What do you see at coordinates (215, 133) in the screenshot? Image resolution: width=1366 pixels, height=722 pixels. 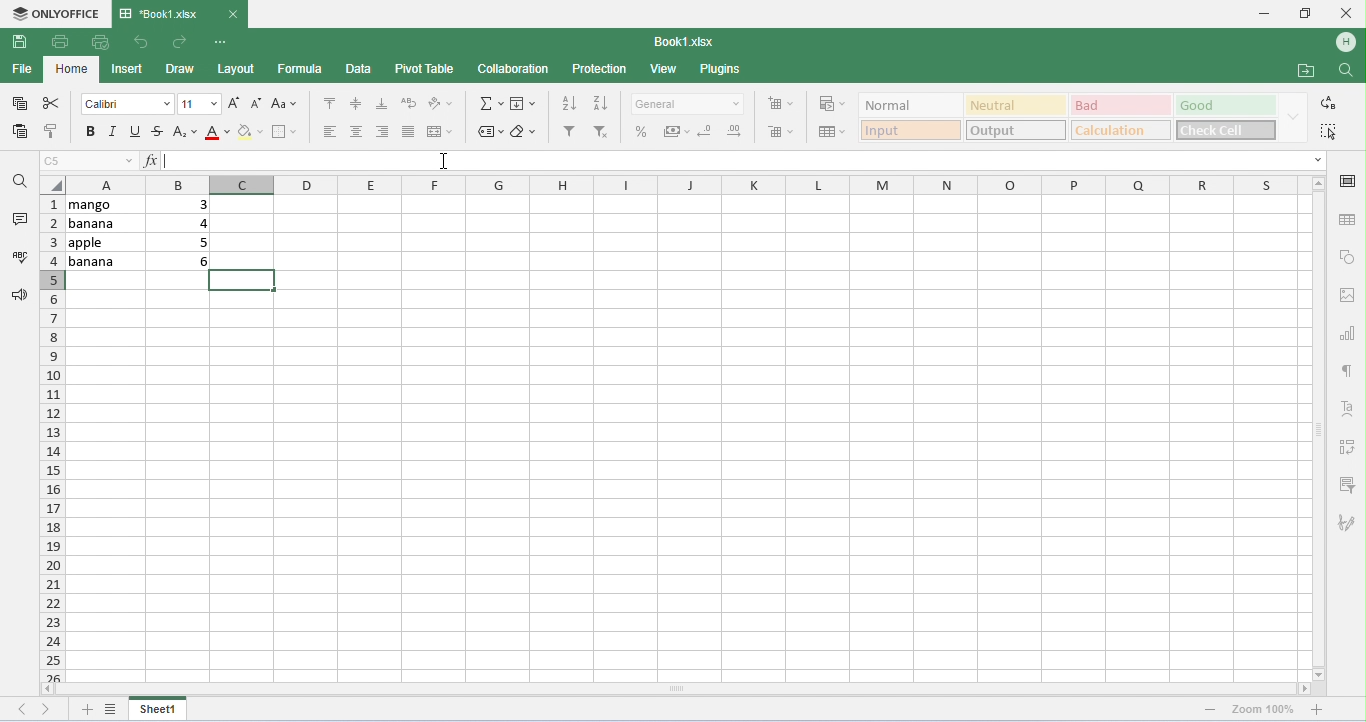 I see `font color` at bounding box center [215, 133].